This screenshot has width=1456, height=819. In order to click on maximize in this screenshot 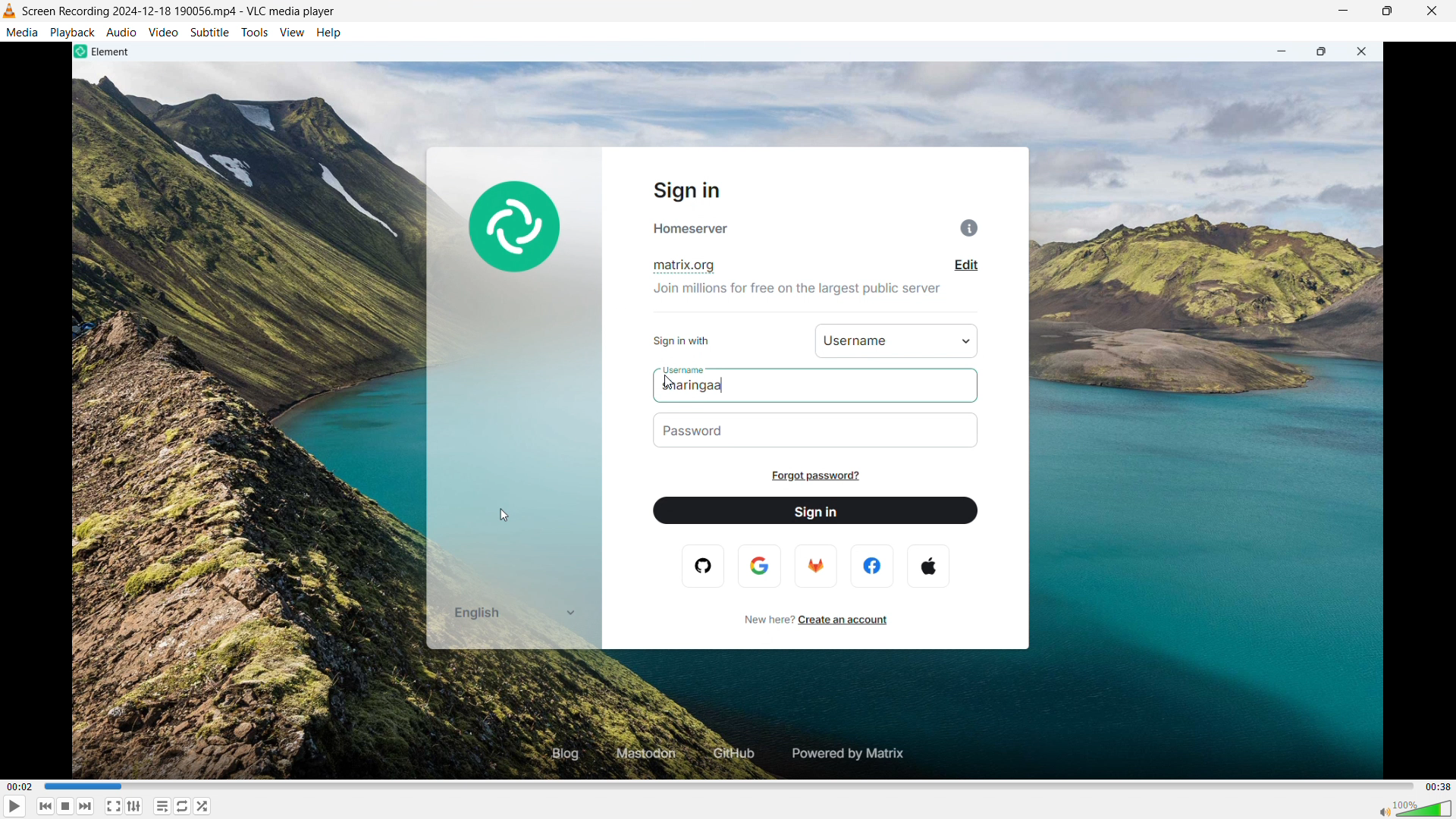, I will do `click(1323, 55)`.